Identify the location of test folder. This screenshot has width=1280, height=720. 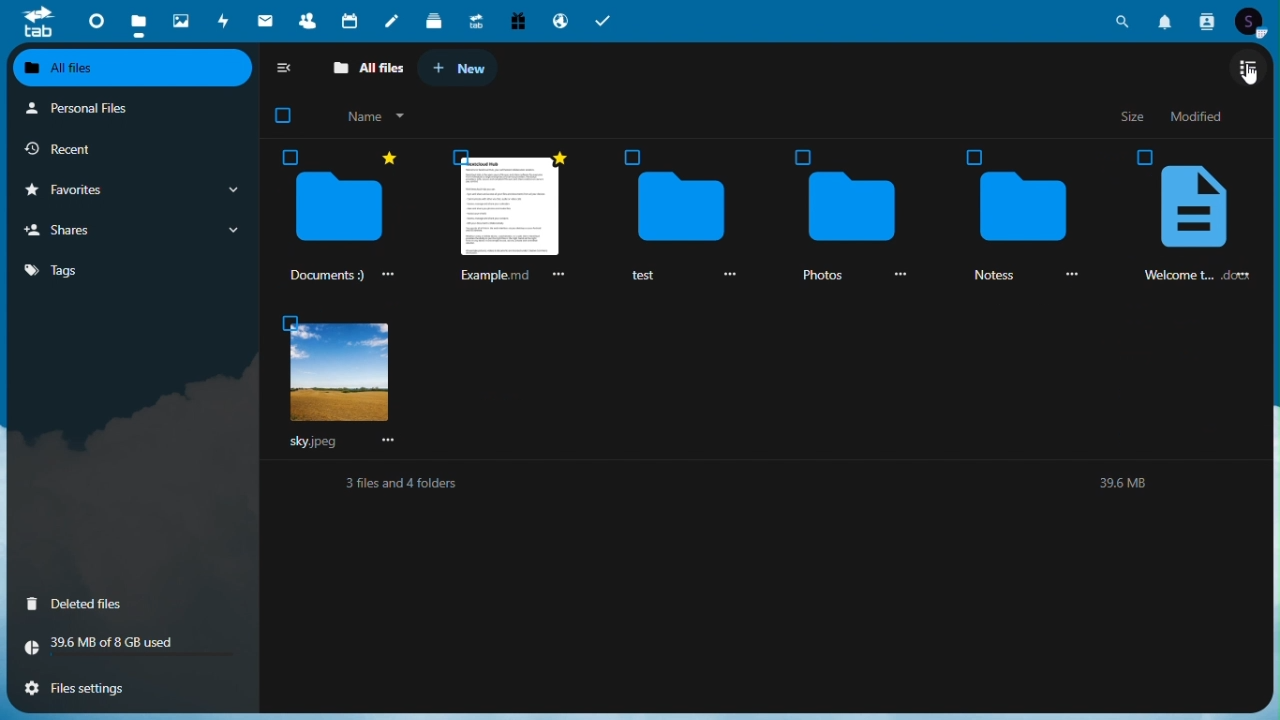
(681, 208).